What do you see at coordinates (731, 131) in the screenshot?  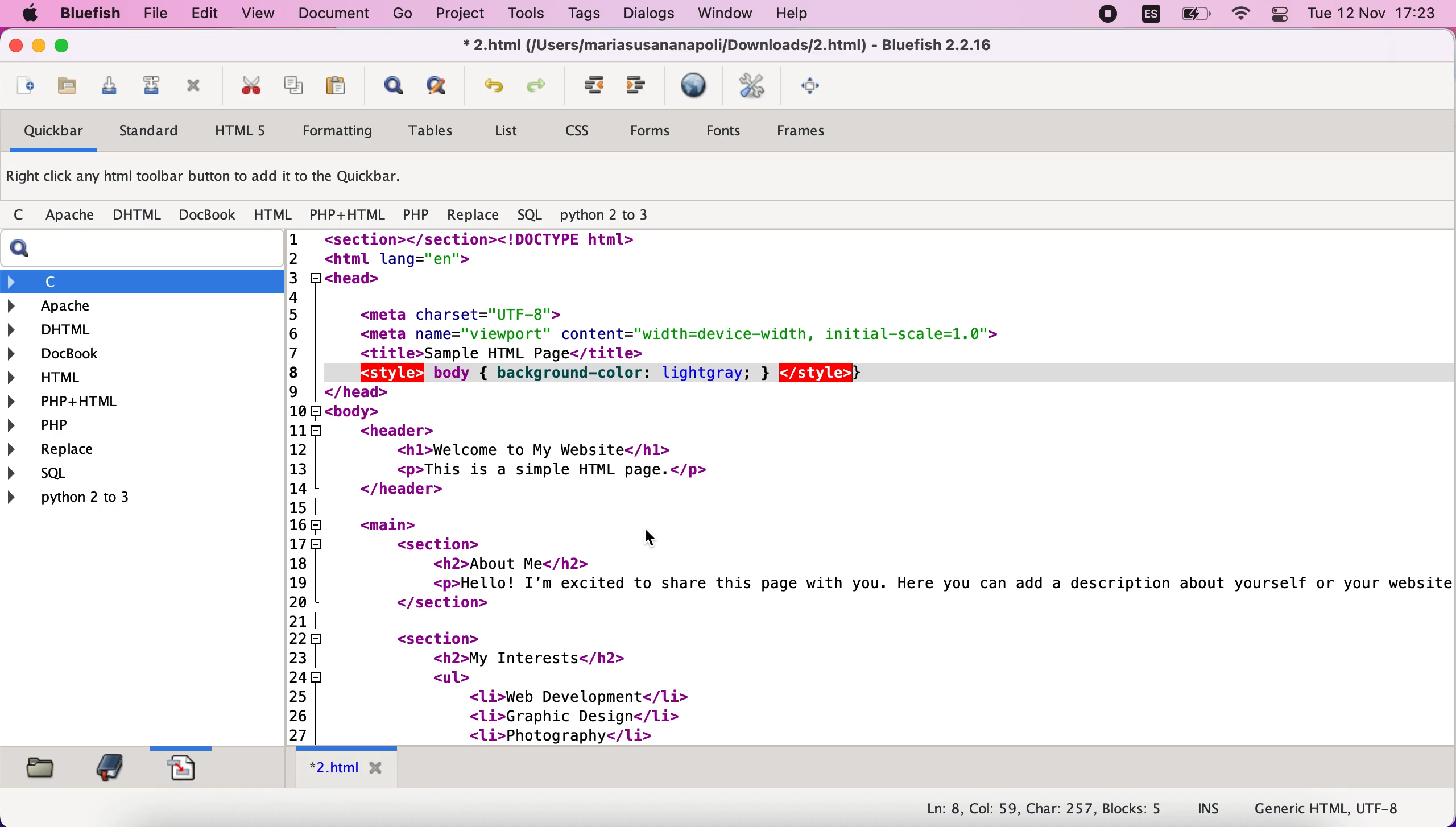 I see `fonts` at bounding box center [731, 131].